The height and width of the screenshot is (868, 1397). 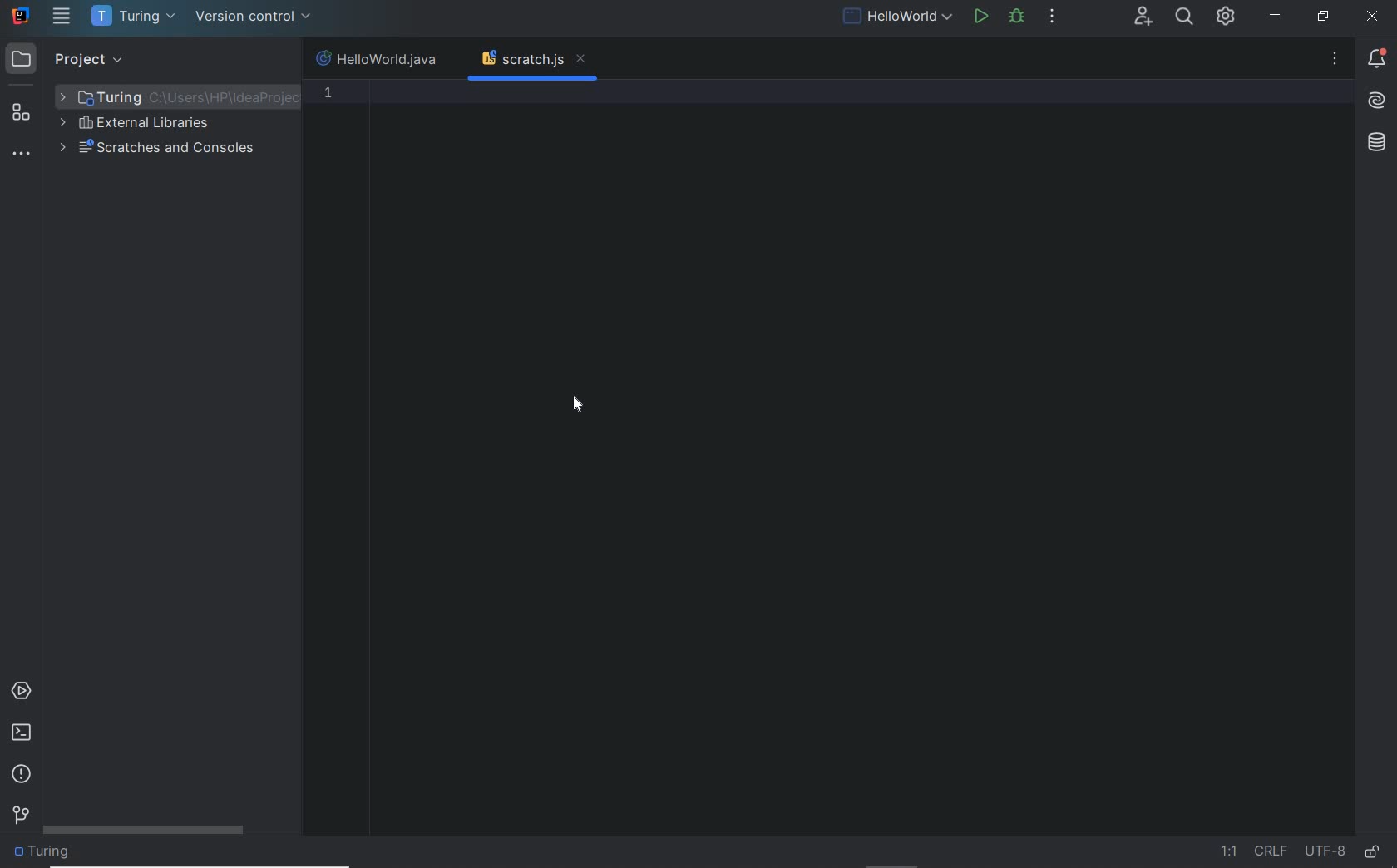 What do you see at coordinates (1325, 851) in the screenshot?
I see `file encoding` at bounding box center [1325, 851].